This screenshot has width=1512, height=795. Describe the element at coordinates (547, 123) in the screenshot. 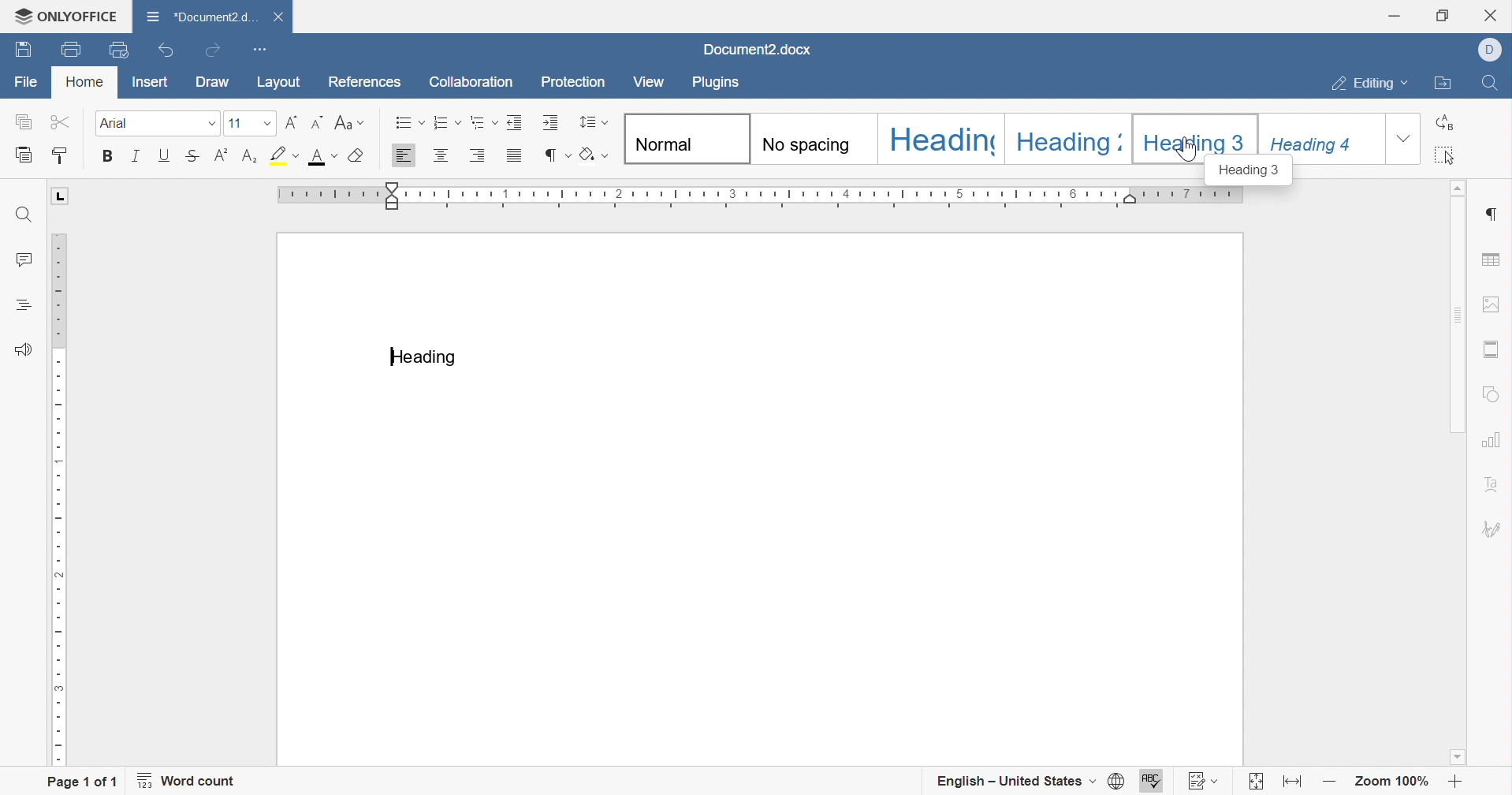

I see `Increase Indent` at that location.